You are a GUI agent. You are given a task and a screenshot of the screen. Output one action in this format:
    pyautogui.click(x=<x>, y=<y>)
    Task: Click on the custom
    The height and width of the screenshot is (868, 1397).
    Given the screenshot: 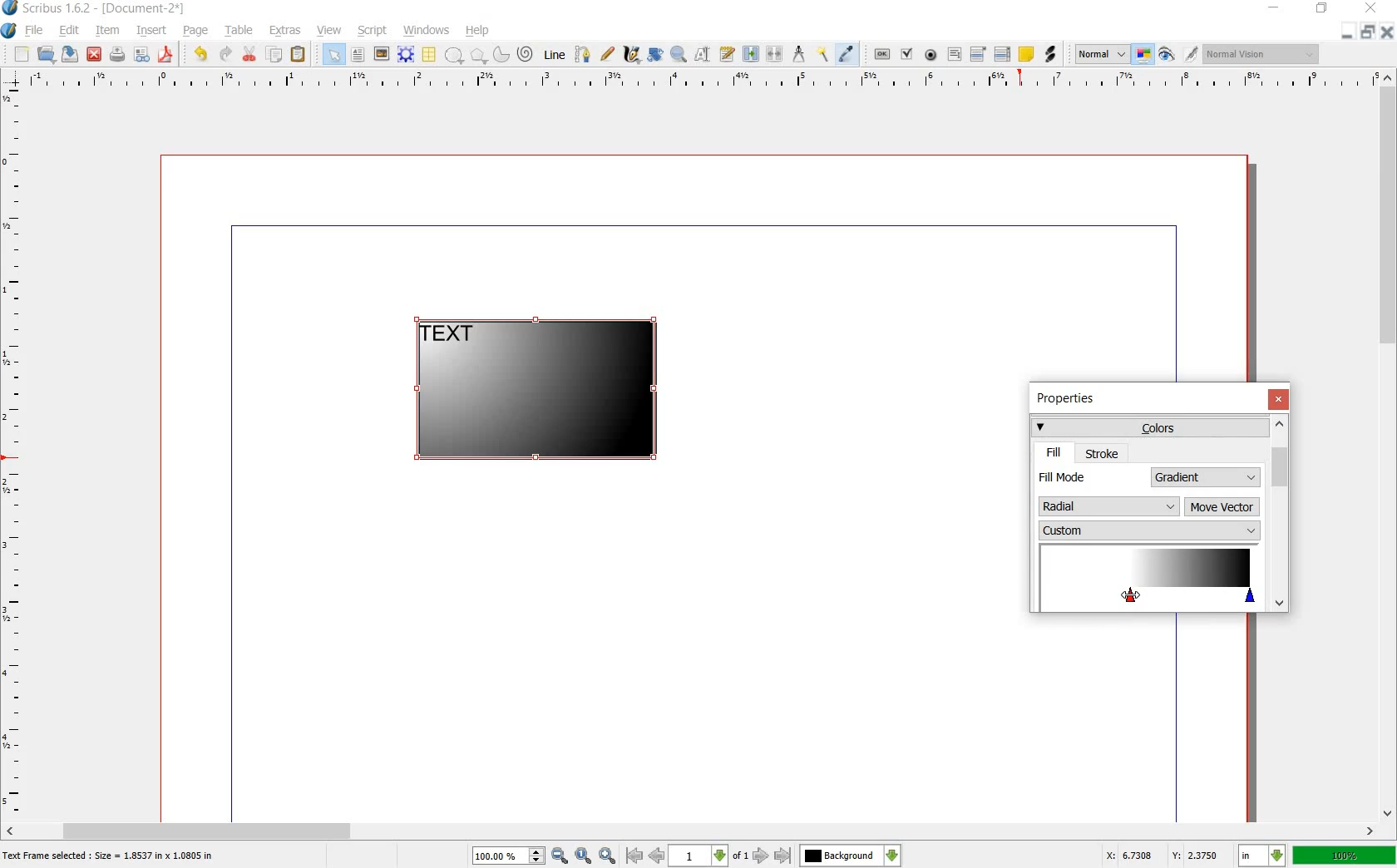 What is the action you would take?
    pyautogui.click(x=1148, y=530)
    